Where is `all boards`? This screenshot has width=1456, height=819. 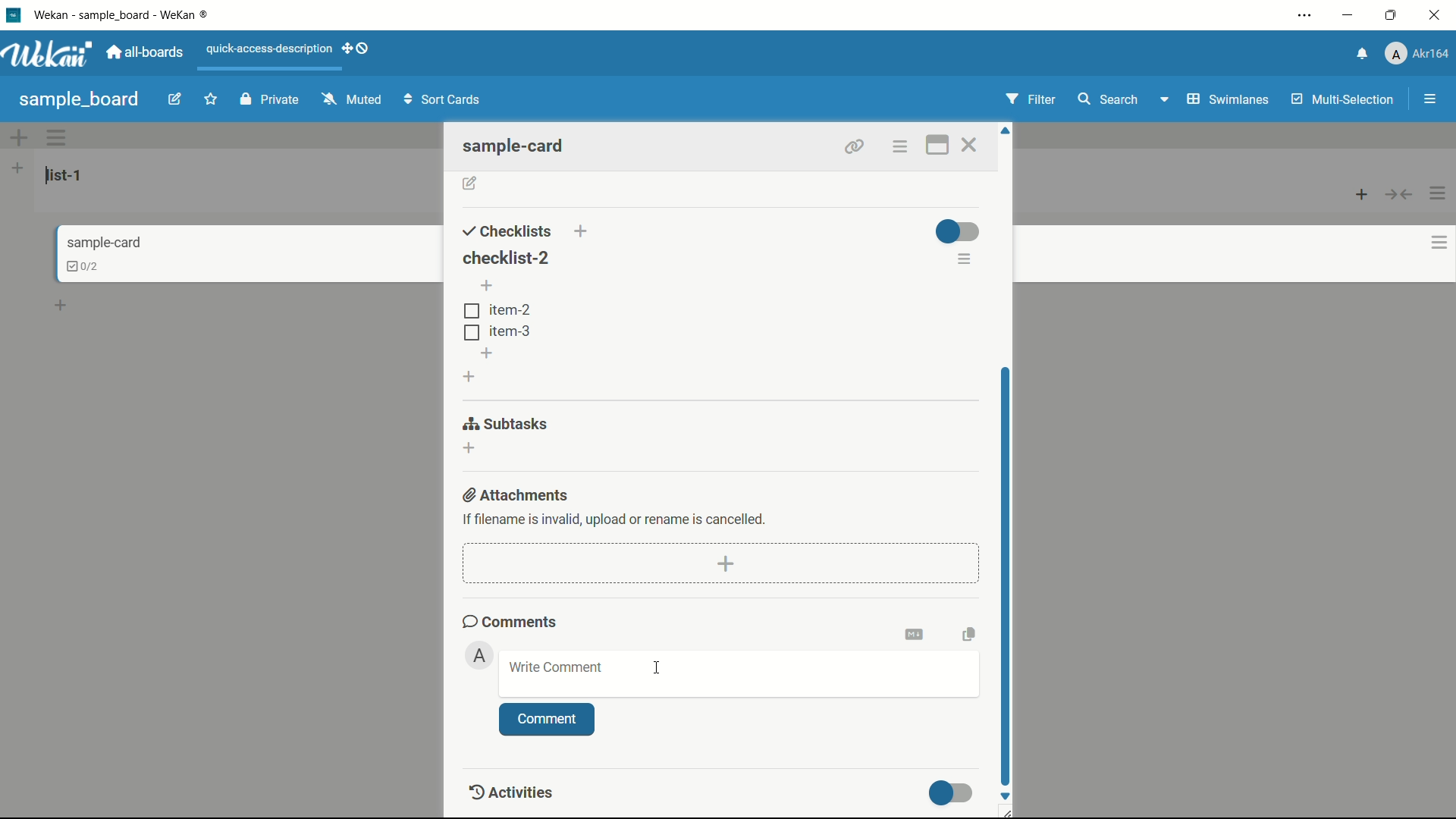 all boards is located at coordinates (149, 52).